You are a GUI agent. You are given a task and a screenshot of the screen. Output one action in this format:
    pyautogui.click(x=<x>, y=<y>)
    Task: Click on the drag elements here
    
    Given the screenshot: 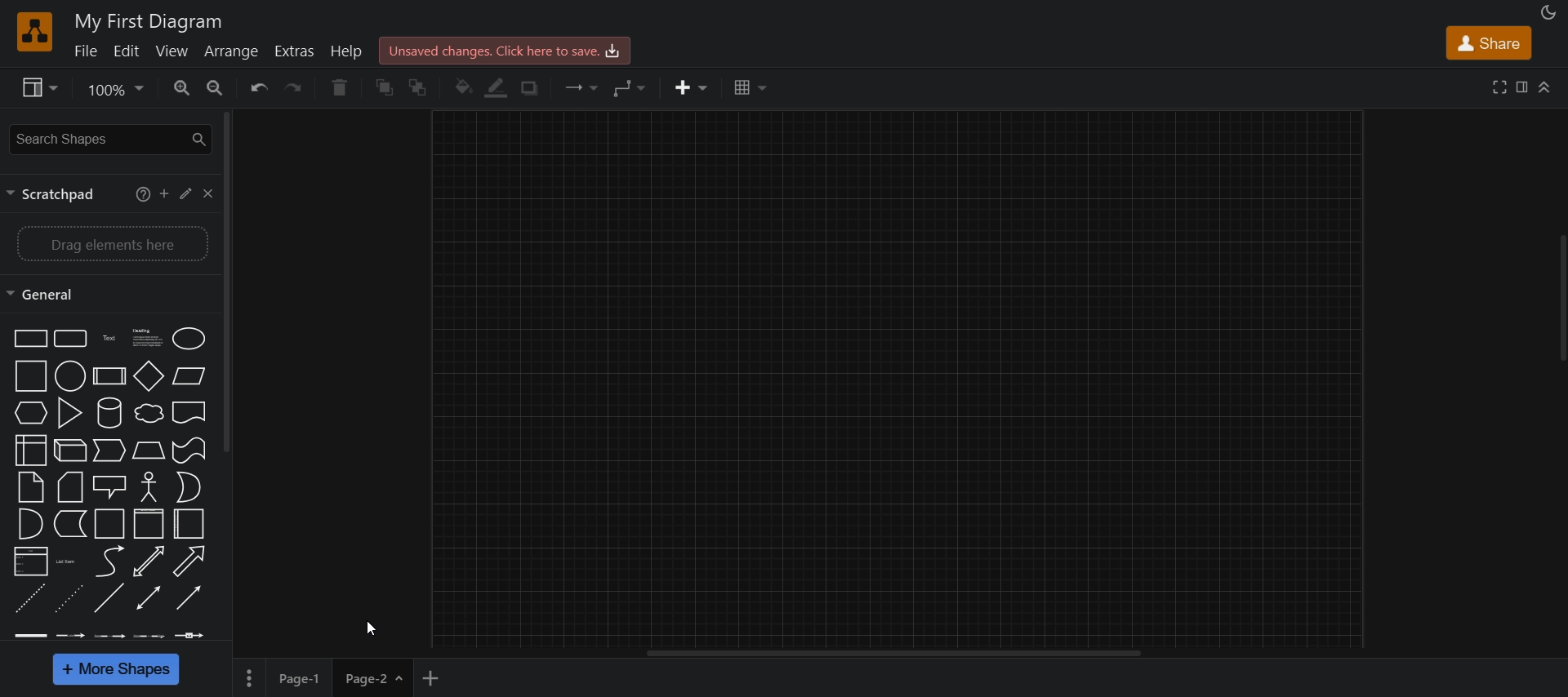 What is the action you would take?
    pyautogui.click(x=107, y=242)
    